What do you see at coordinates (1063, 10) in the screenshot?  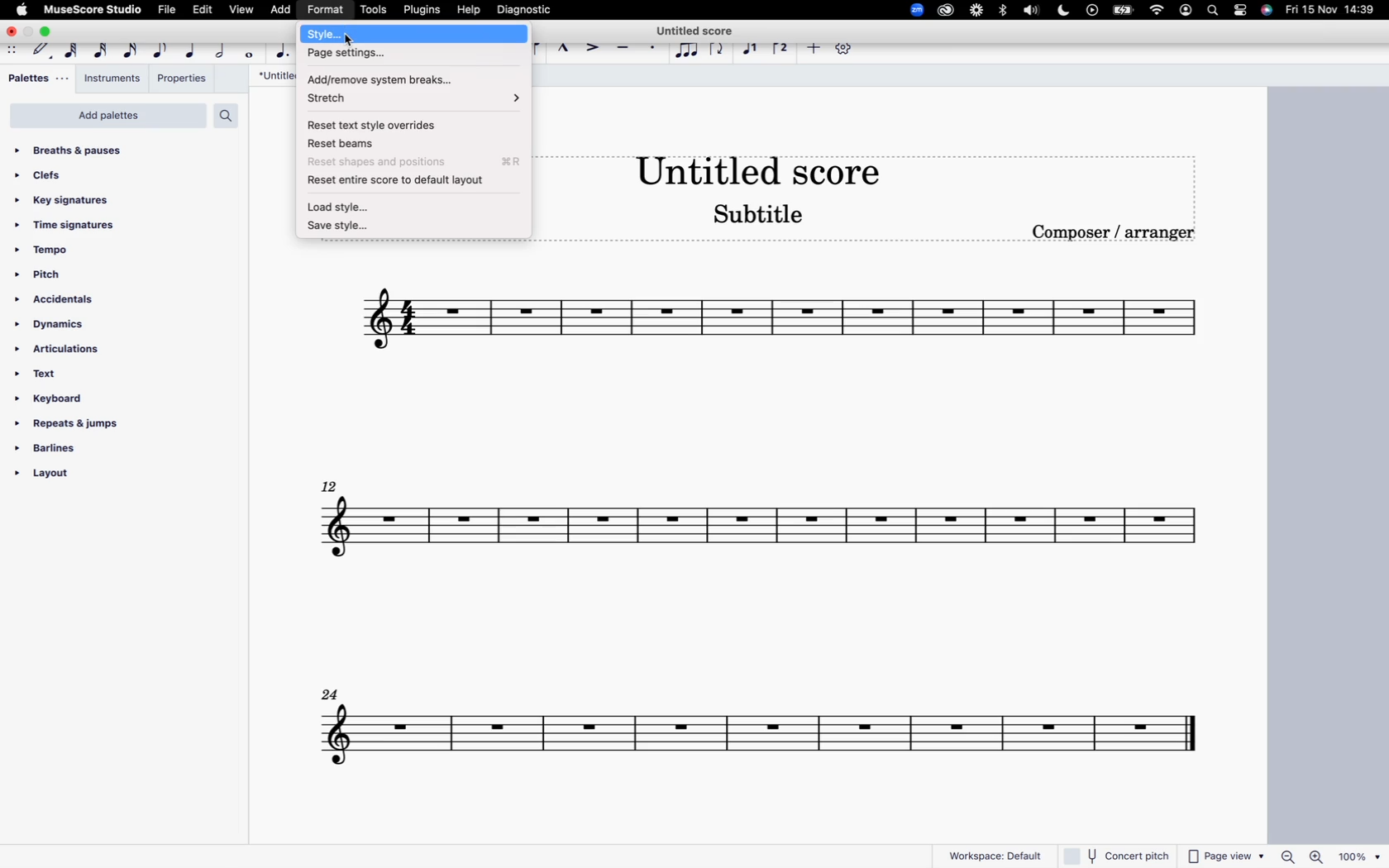 I see `do not distyrh` at bounding box center [1063, 10].